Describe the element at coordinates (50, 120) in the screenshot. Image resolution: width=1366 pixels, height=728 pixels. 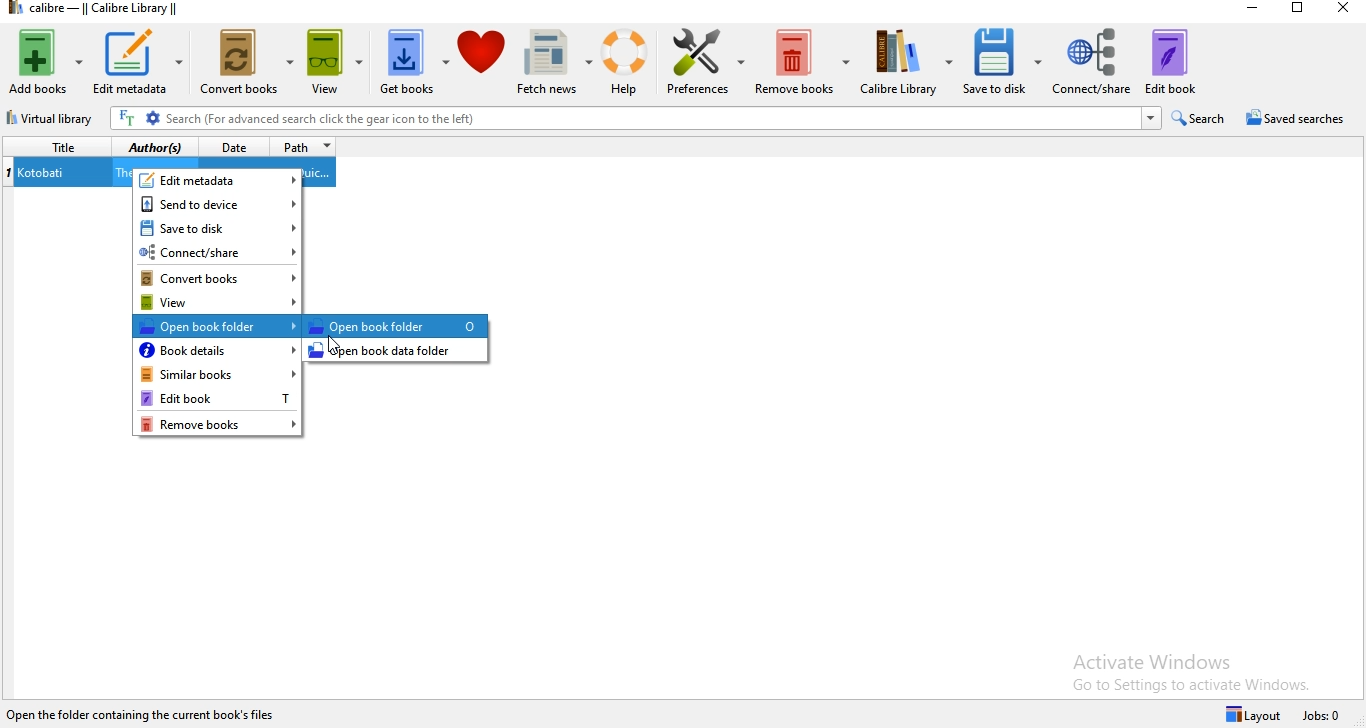
I see `virtual library` at that location.